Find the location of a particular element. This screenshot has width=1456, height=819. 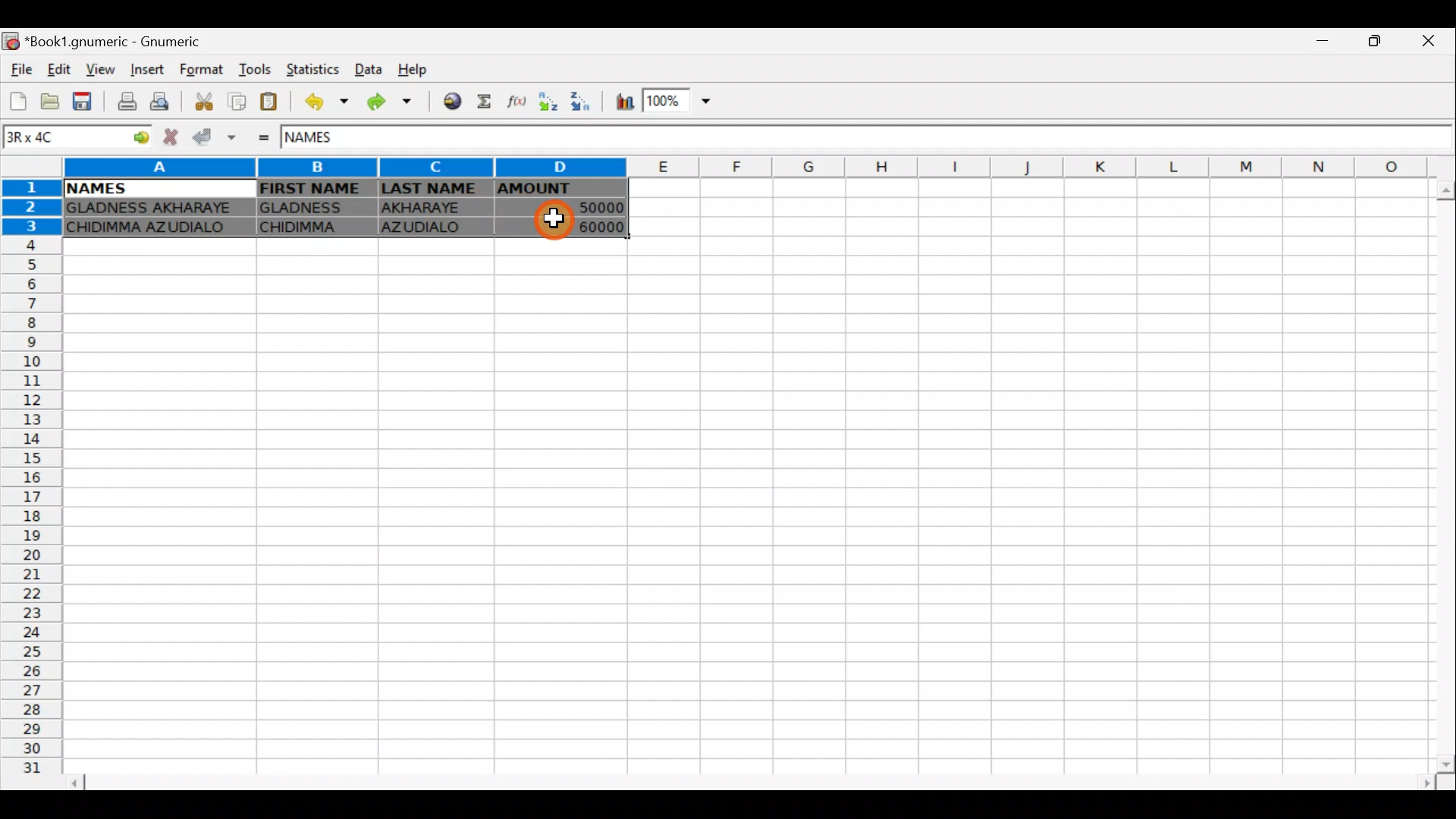

Redo undone action is located at coordinates (395, 105).